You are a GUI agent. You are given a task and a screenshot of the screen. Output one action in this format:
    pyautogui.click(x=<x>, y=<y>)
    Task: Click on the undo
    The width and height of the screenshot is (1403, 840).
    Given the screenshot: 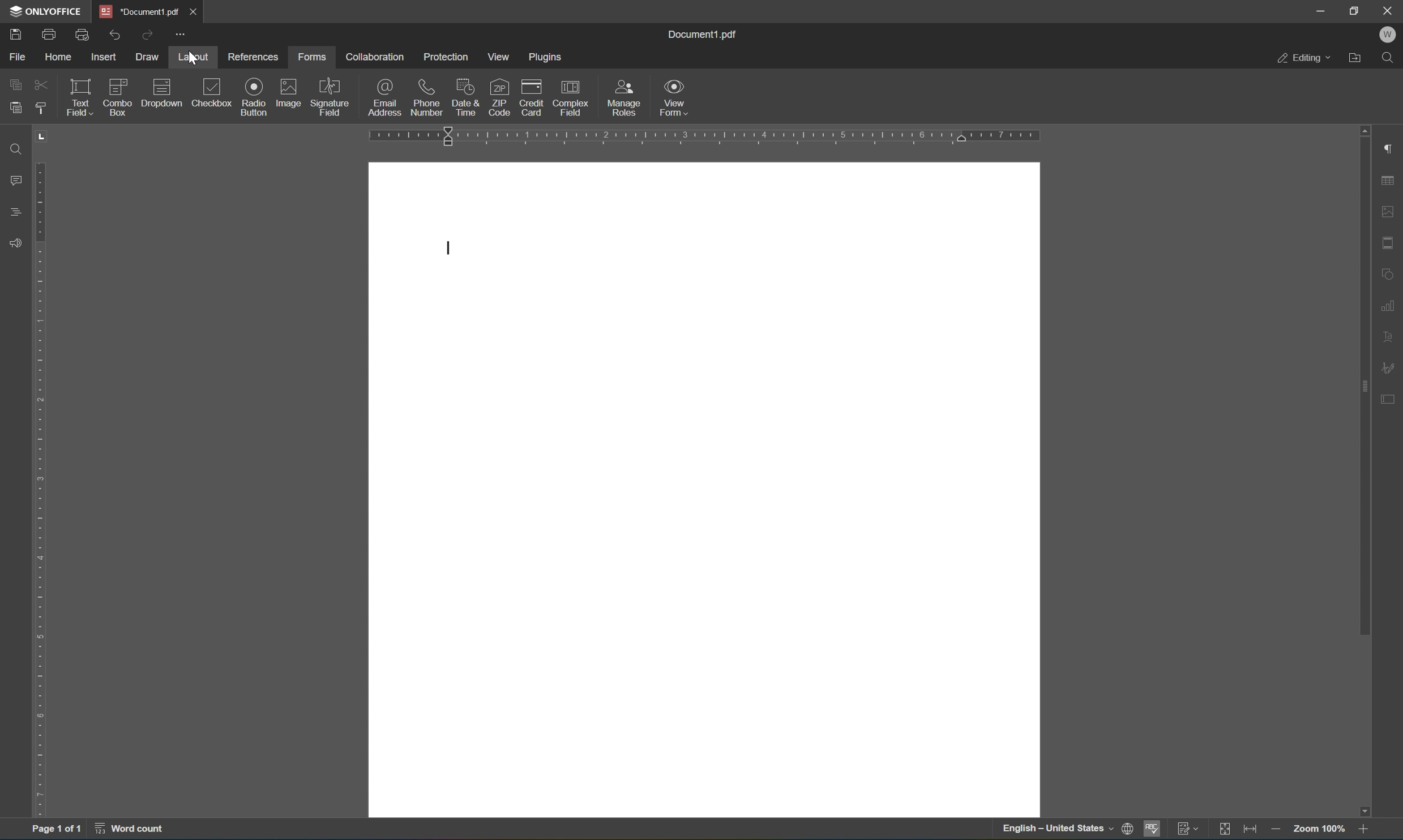 What is the action you would take?
    pyautogui.click(x=118, y=32)
    